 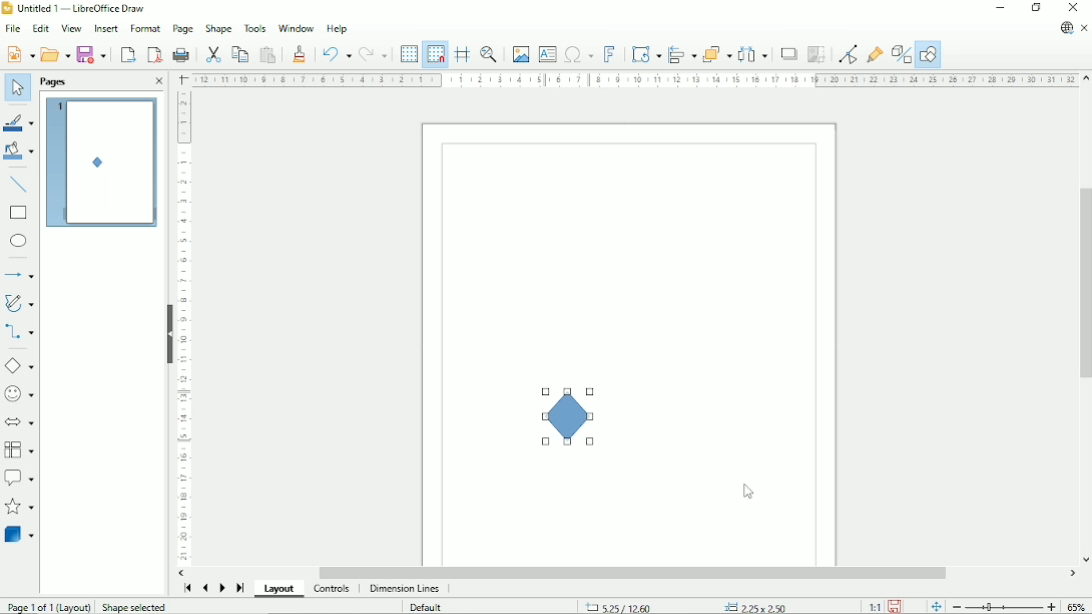 I want to click on Close document, so click(x=1085, y=28).